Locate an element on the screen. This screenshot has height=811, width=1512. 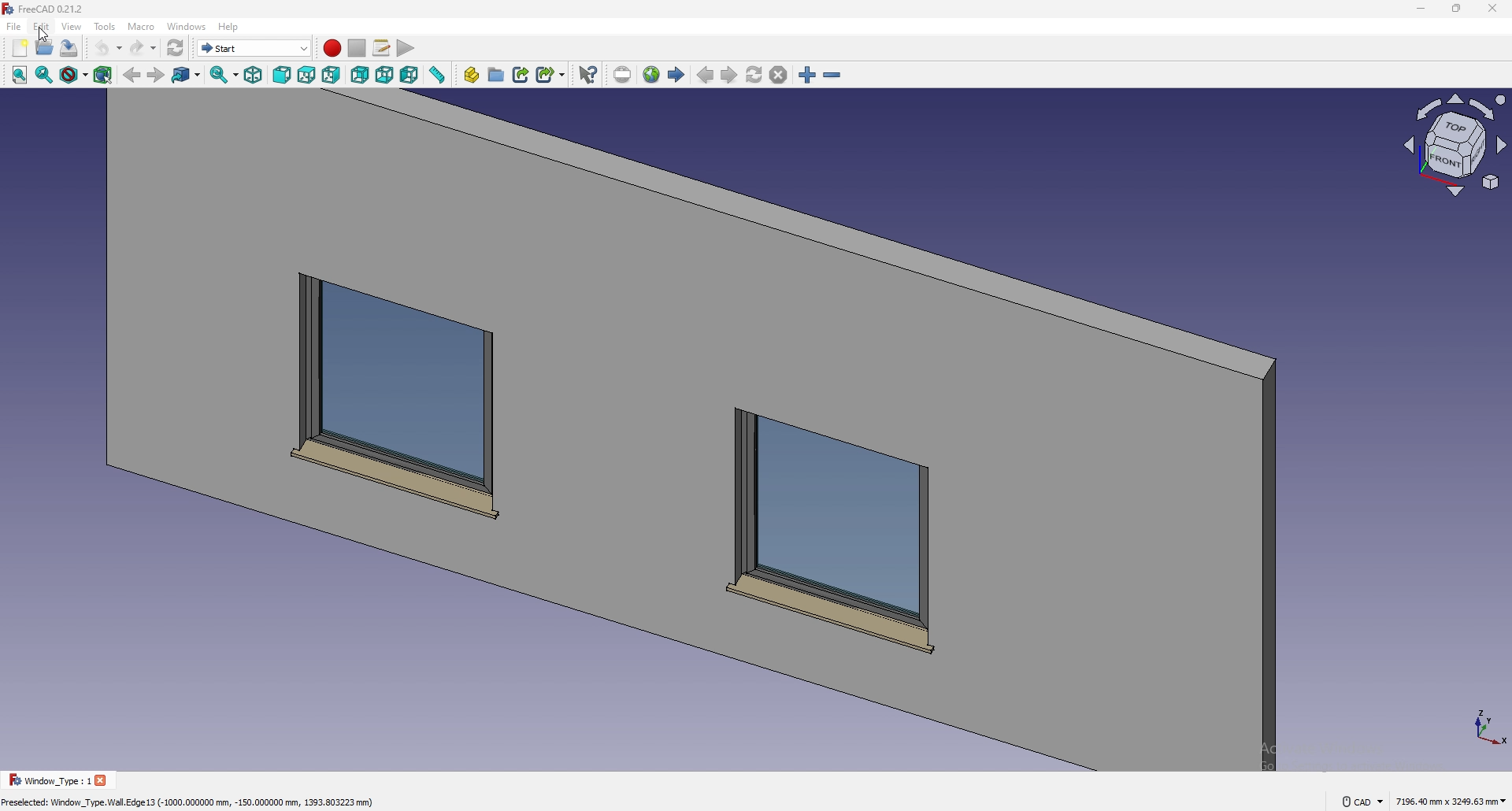
Start is located at coordinates (254, 48).